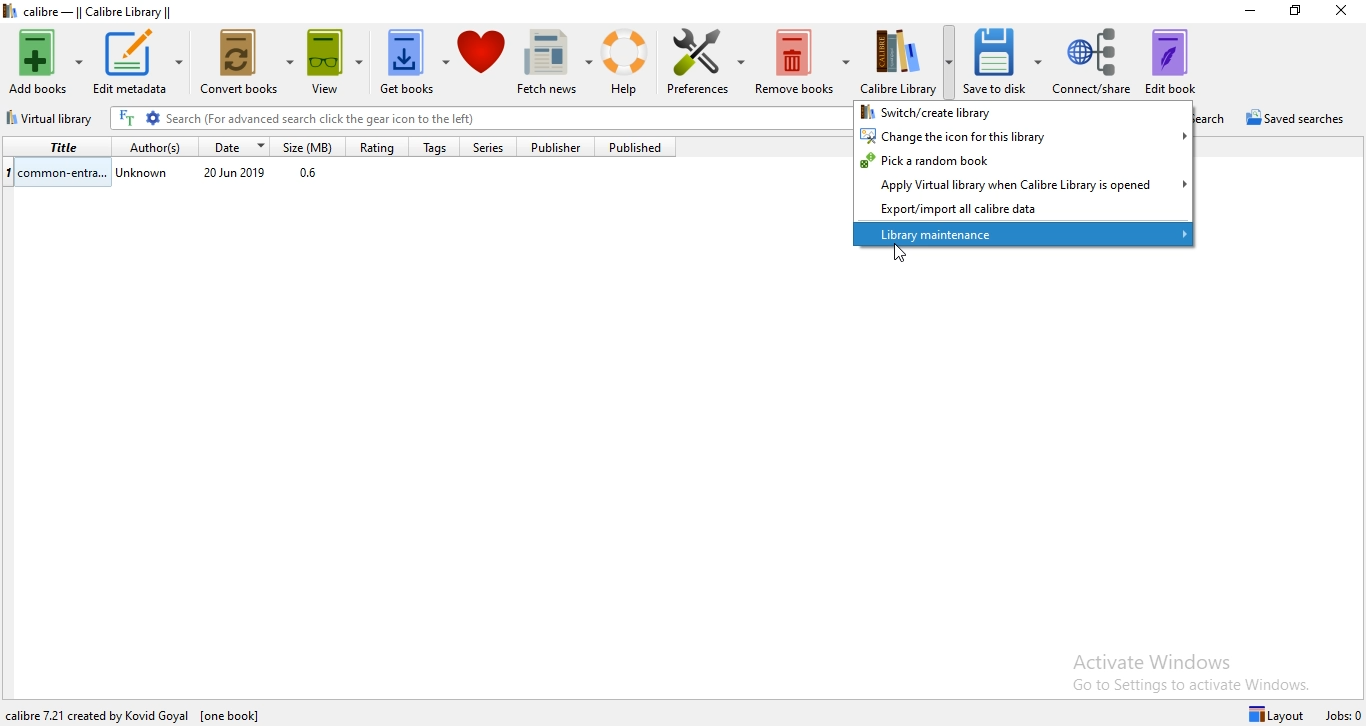 Image resolution: width=1366 pixels, height=726 pixels. I want to click on Title, so click(55, 146).